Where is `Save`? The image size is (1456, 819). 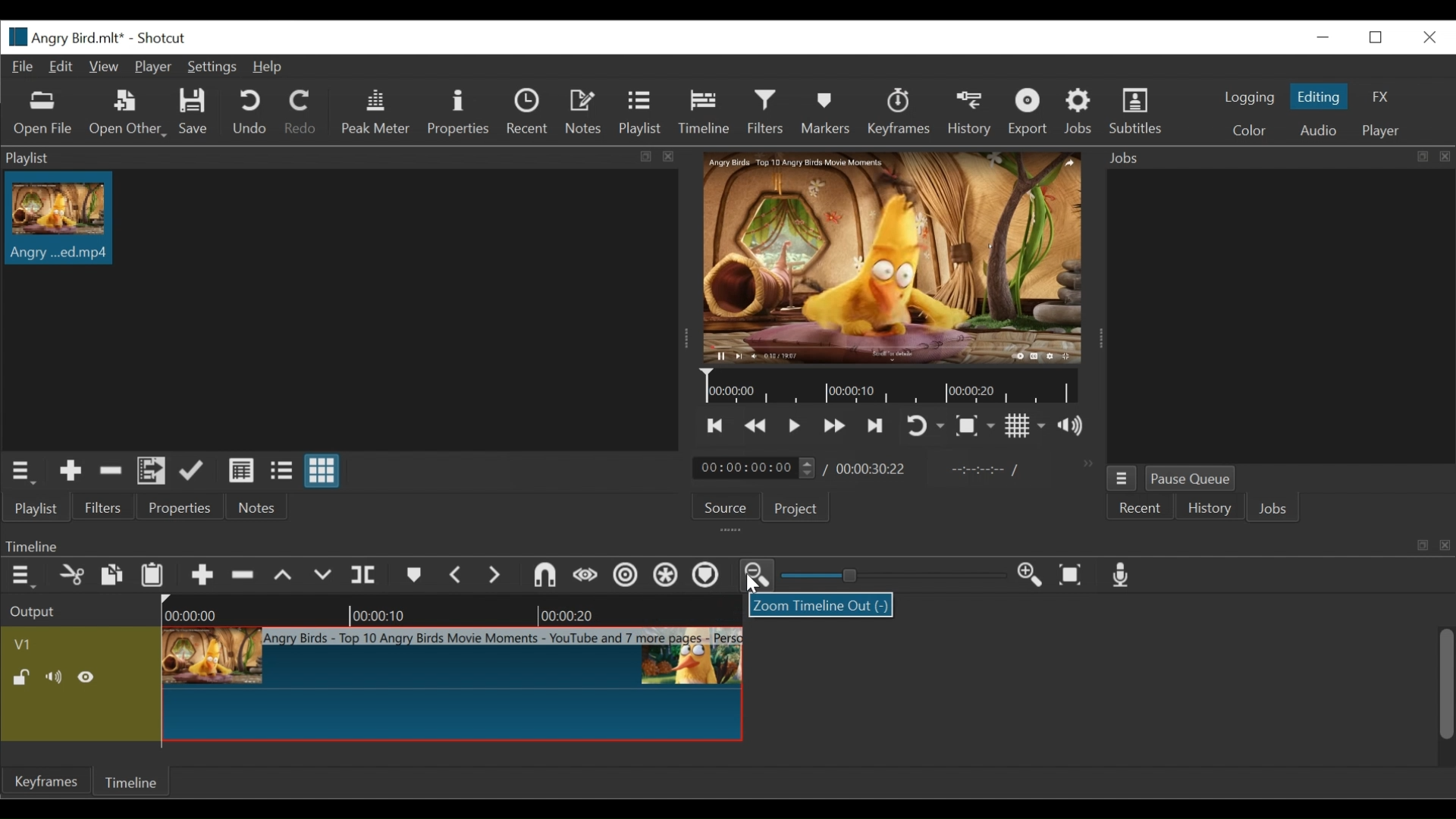
Save is located at coordinates (195, 113).